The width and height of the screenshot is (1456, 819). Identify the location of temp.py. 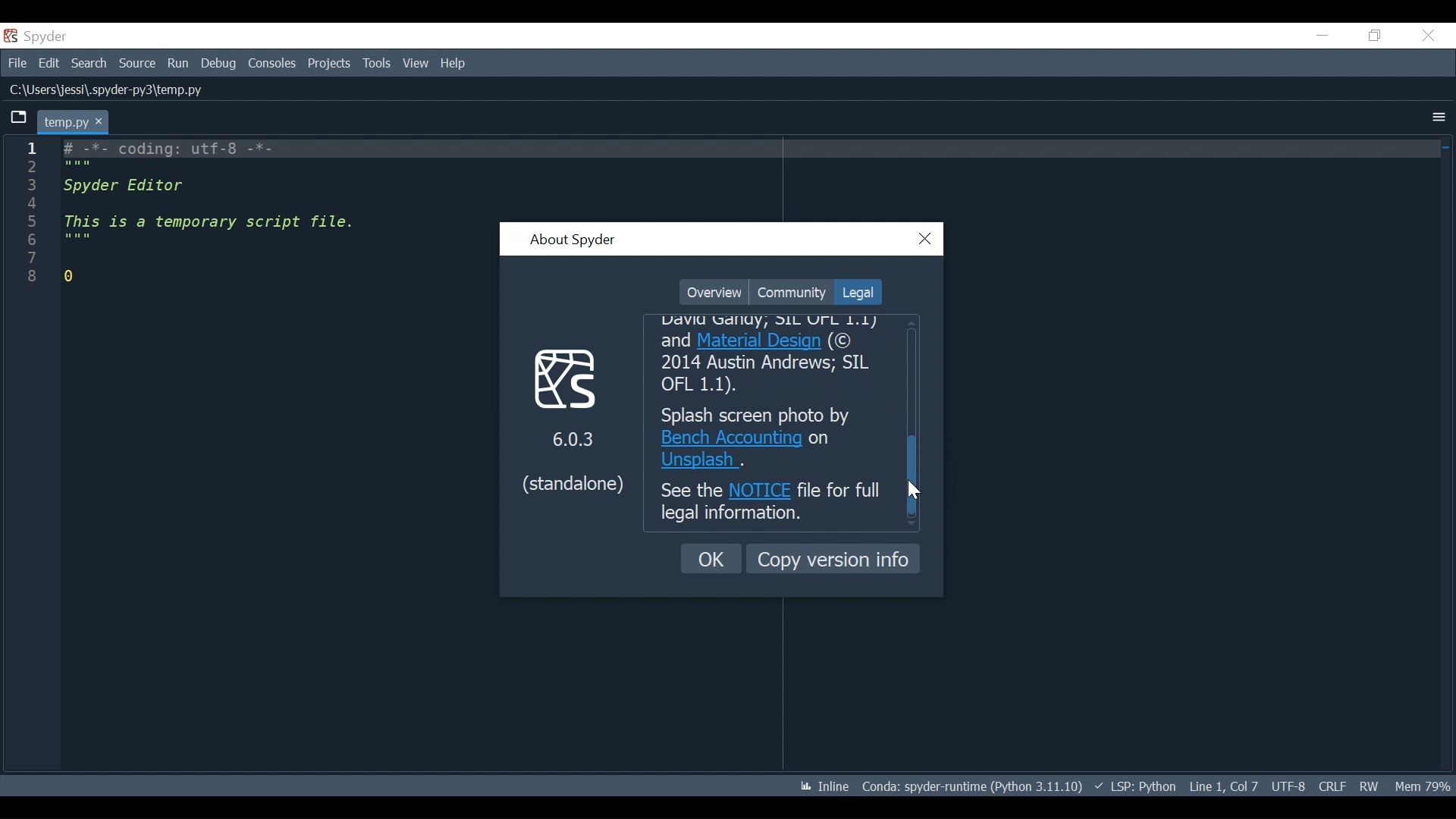
(77, 121).